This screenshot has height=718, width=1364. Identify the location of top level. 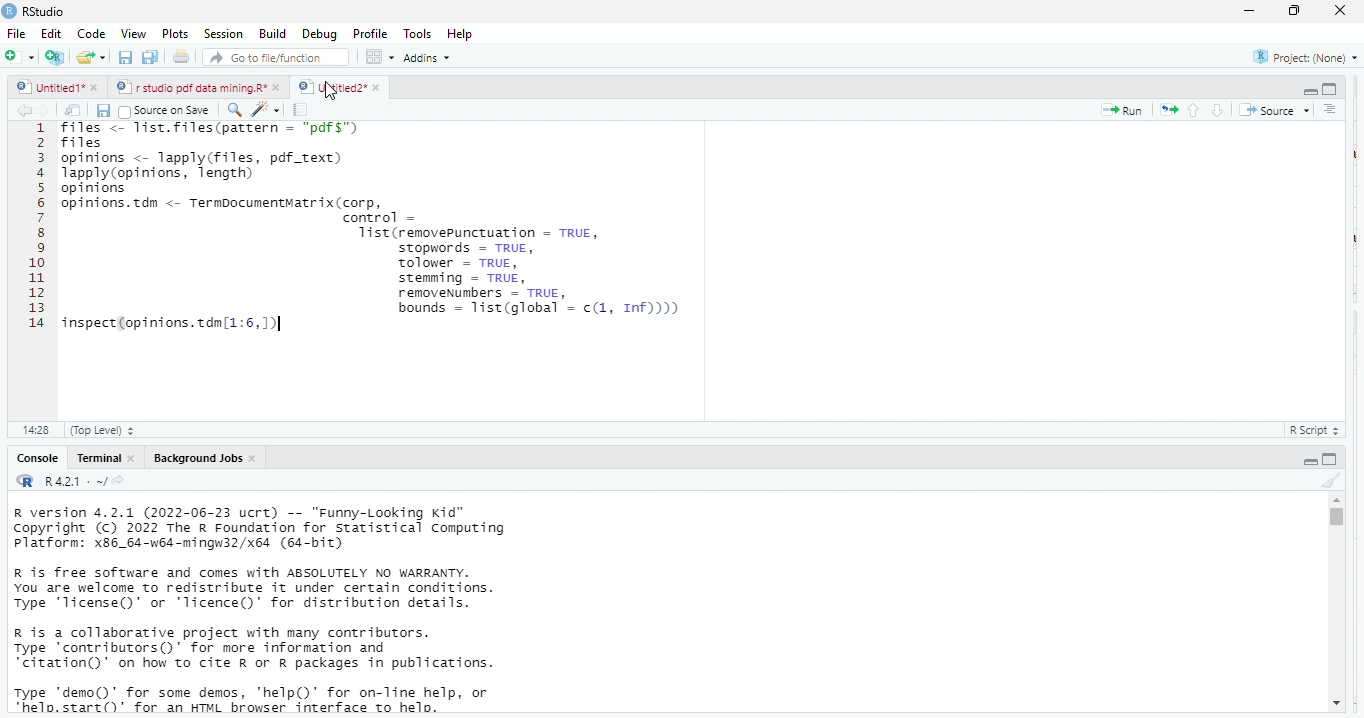
(108, 430).